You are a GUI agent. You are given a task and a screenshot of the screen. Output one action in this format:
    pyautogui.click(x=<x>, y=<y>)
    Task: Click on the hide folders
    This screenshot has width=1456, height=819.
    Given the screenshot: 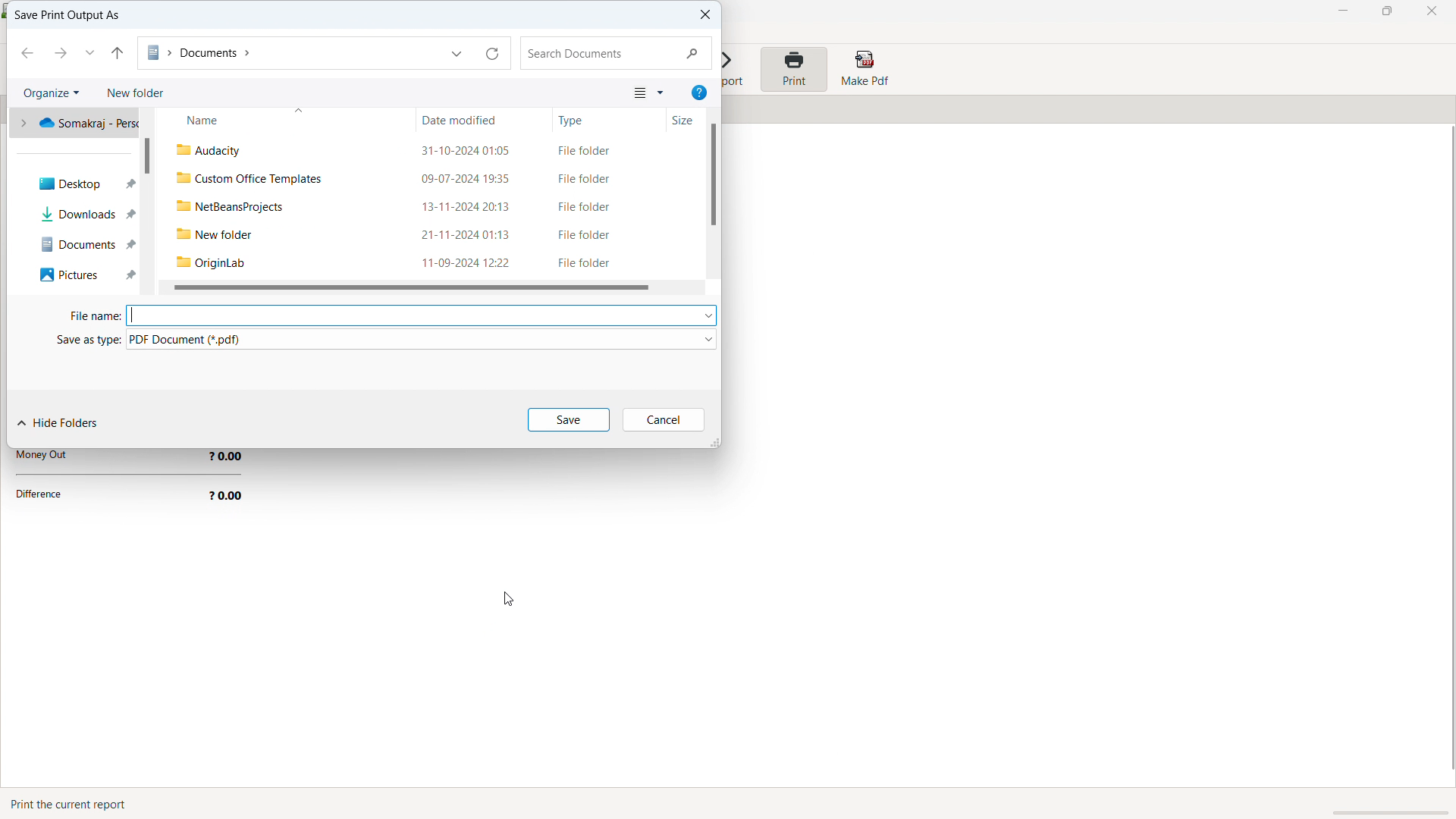 What is the action you would take?
    pyautogui.click(x=59, y=424)
    